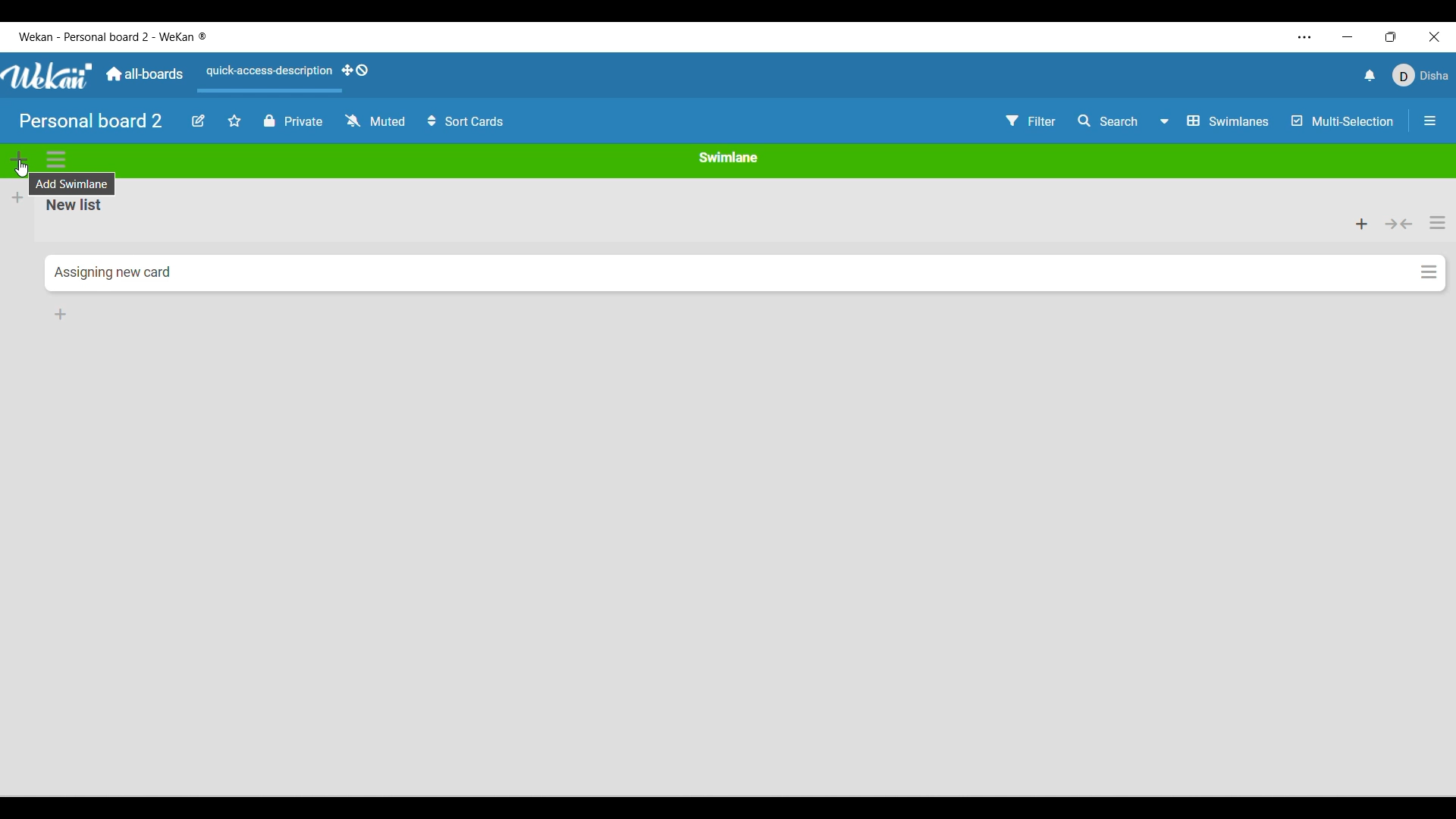 The image size is (1456, 819). I want to click on Search, so click(1109, 121).